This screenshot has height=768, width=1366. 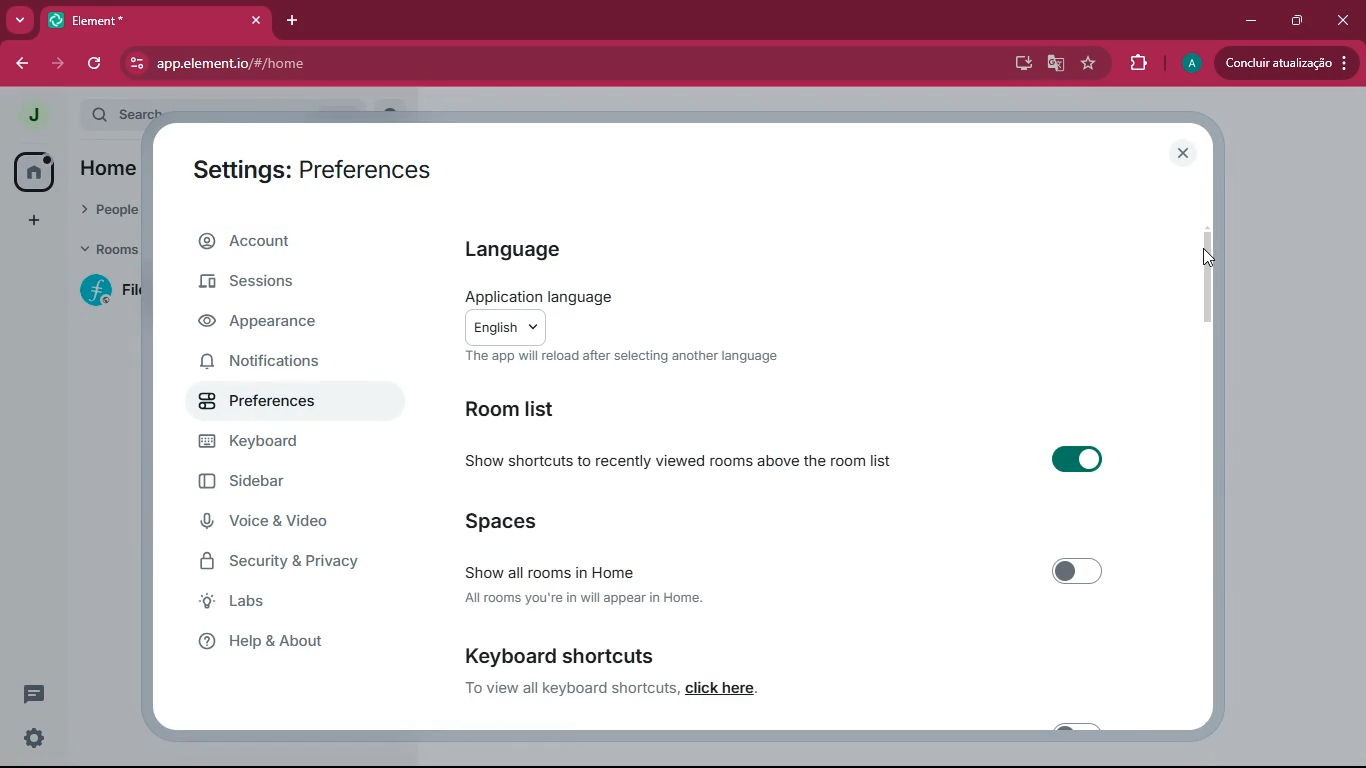 What do you see at coordinates (324, 63) in the screenshot?
I see `app.element.io/#/home` at bounding box center [324, 63].